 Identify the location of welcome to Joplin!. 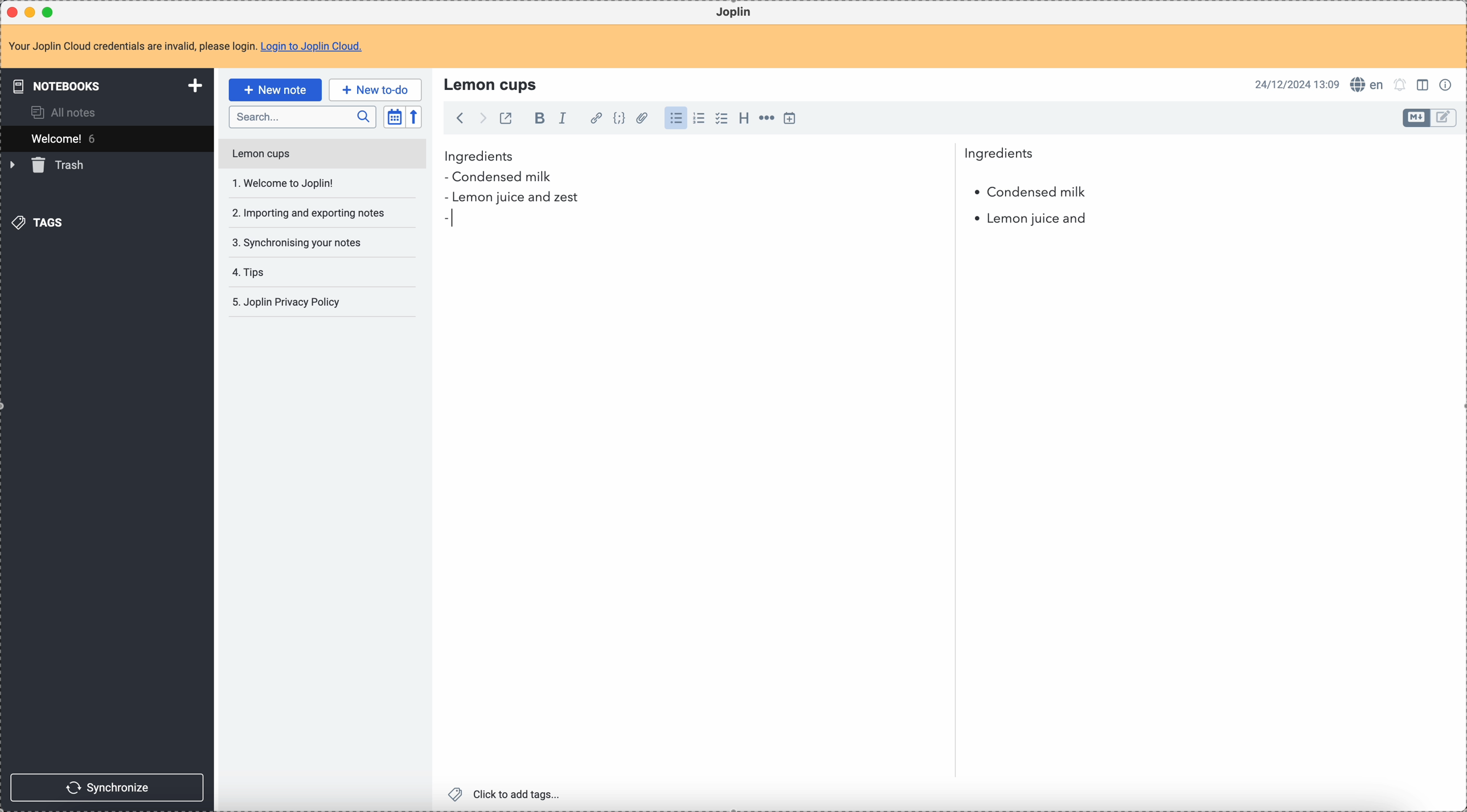
(284, 183).